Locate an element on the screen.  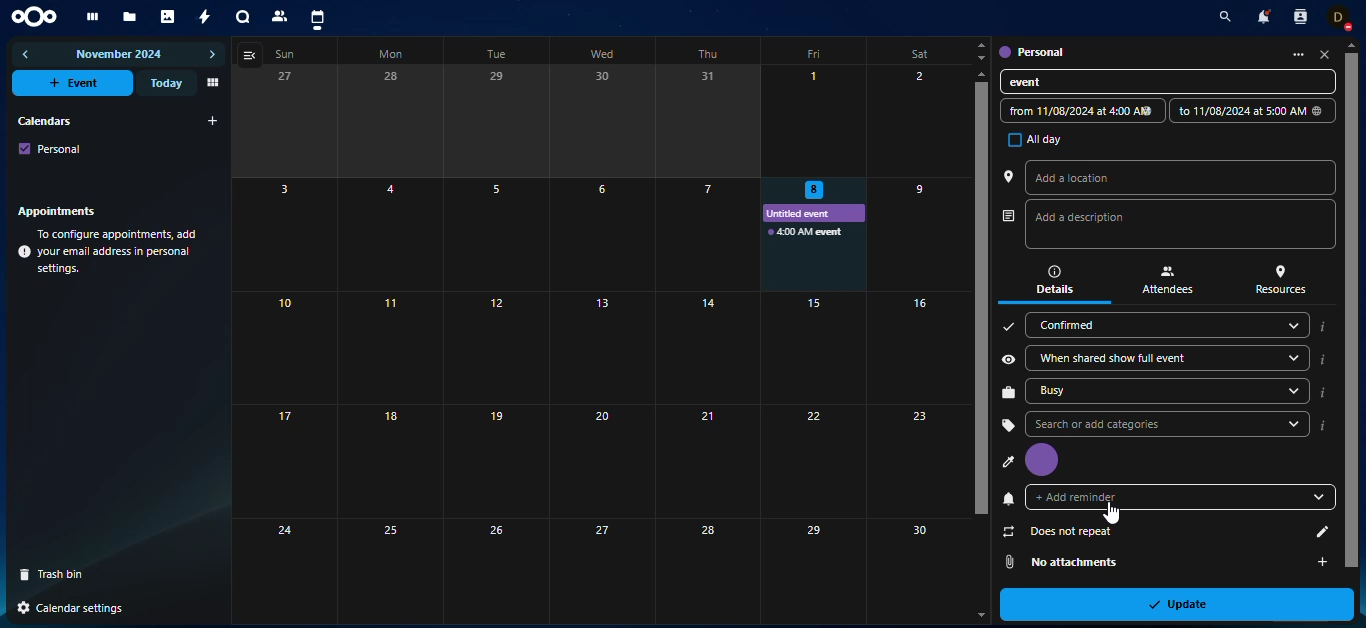
appointments is located at coordinates (62, 210).